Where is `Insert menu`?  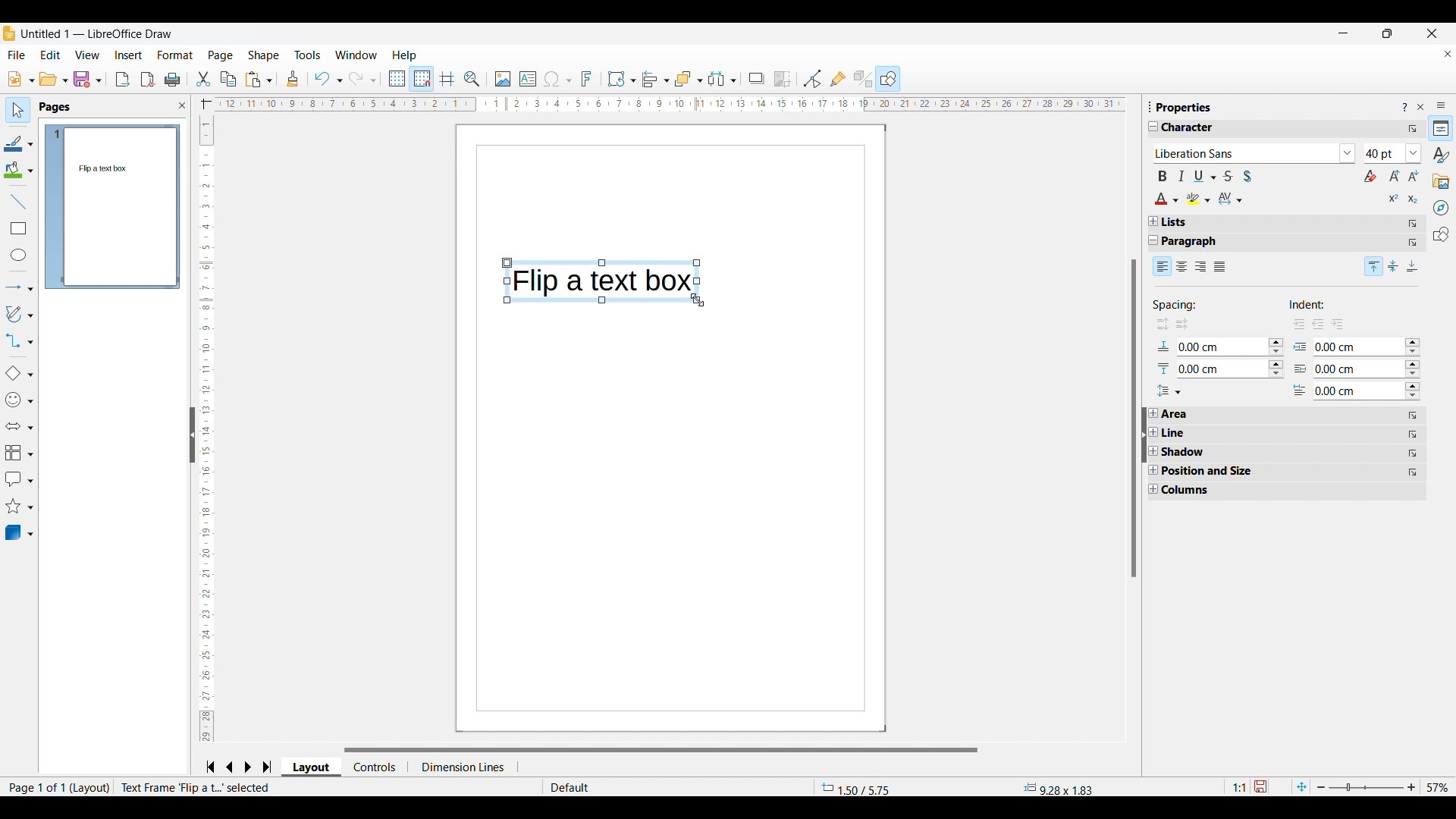 Insert menu is located at coordinates (129, 55).